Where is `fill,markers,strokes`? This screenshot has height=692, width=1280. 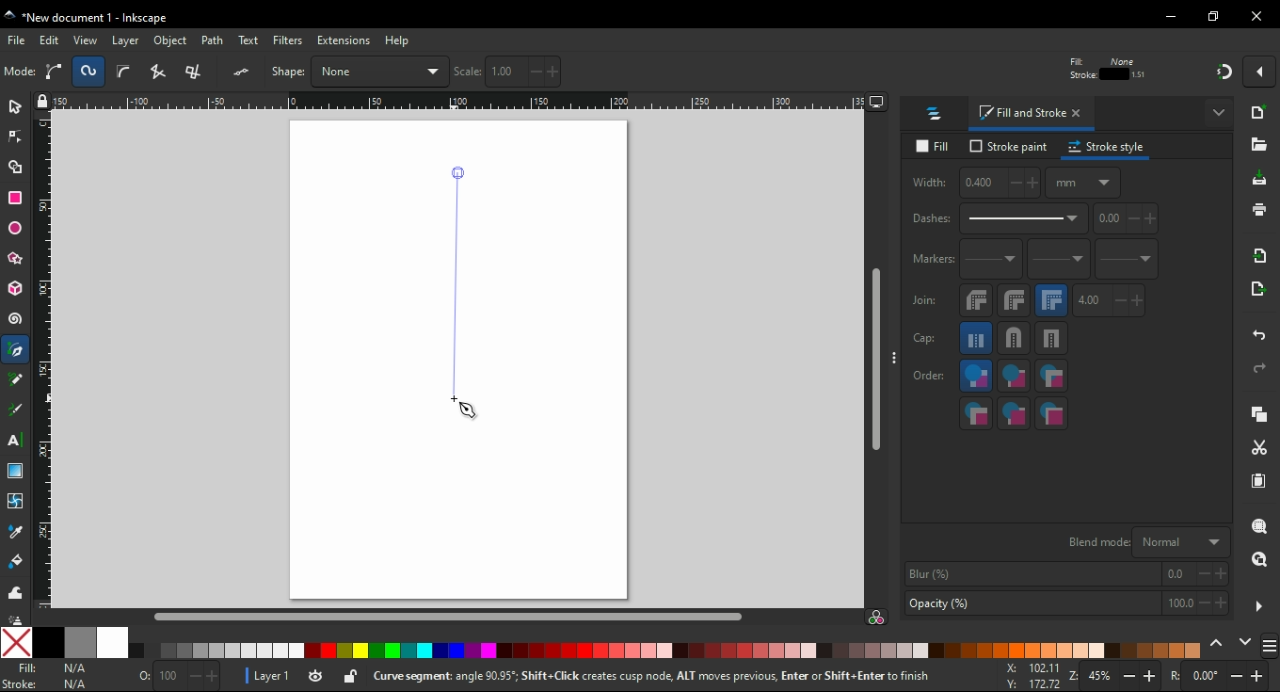
fill,markers,strokes is located at coordinates (1051, 376).